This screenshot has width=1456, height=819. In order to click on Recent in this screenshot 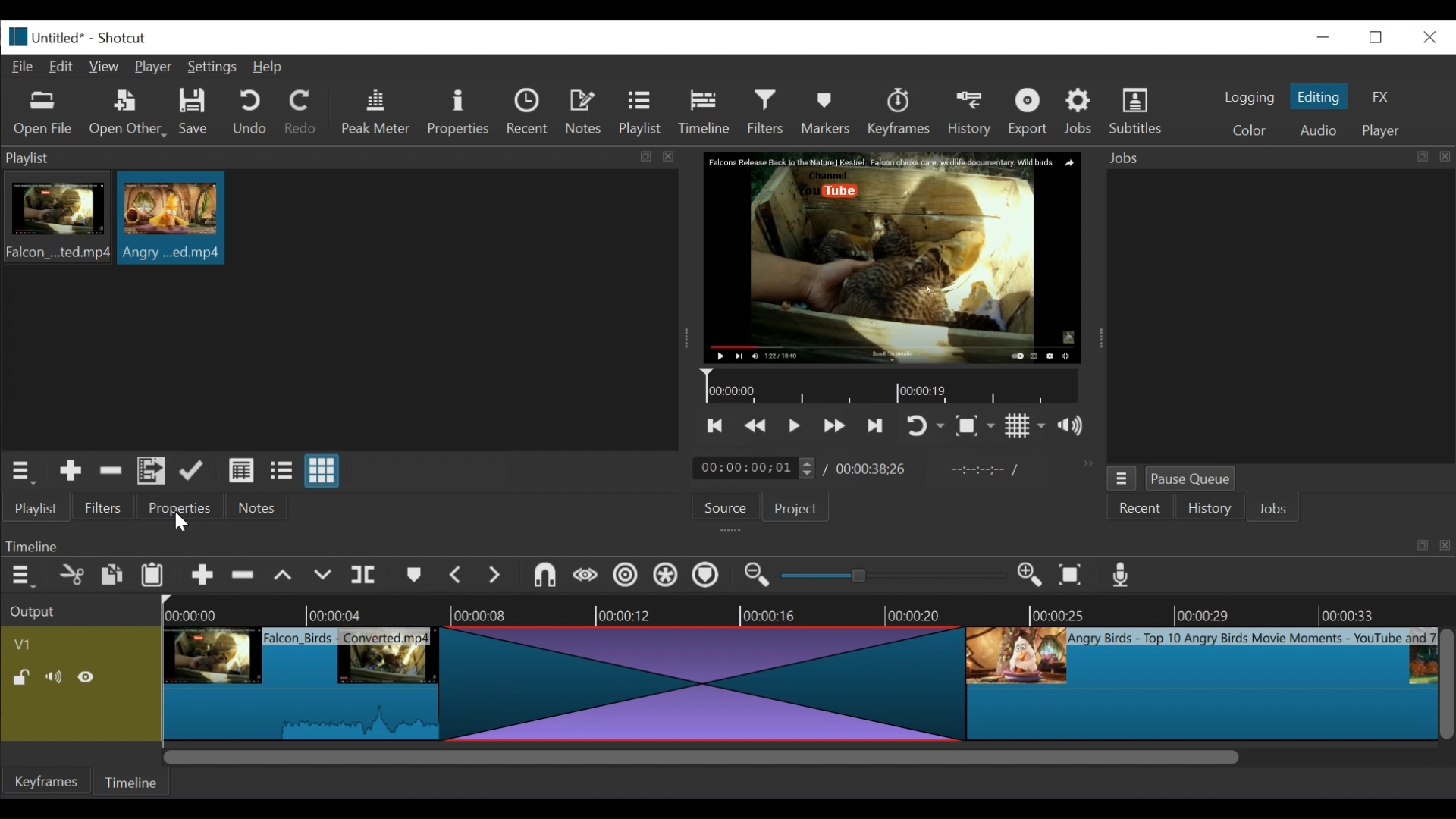, I will do `click(1141, 509)`.